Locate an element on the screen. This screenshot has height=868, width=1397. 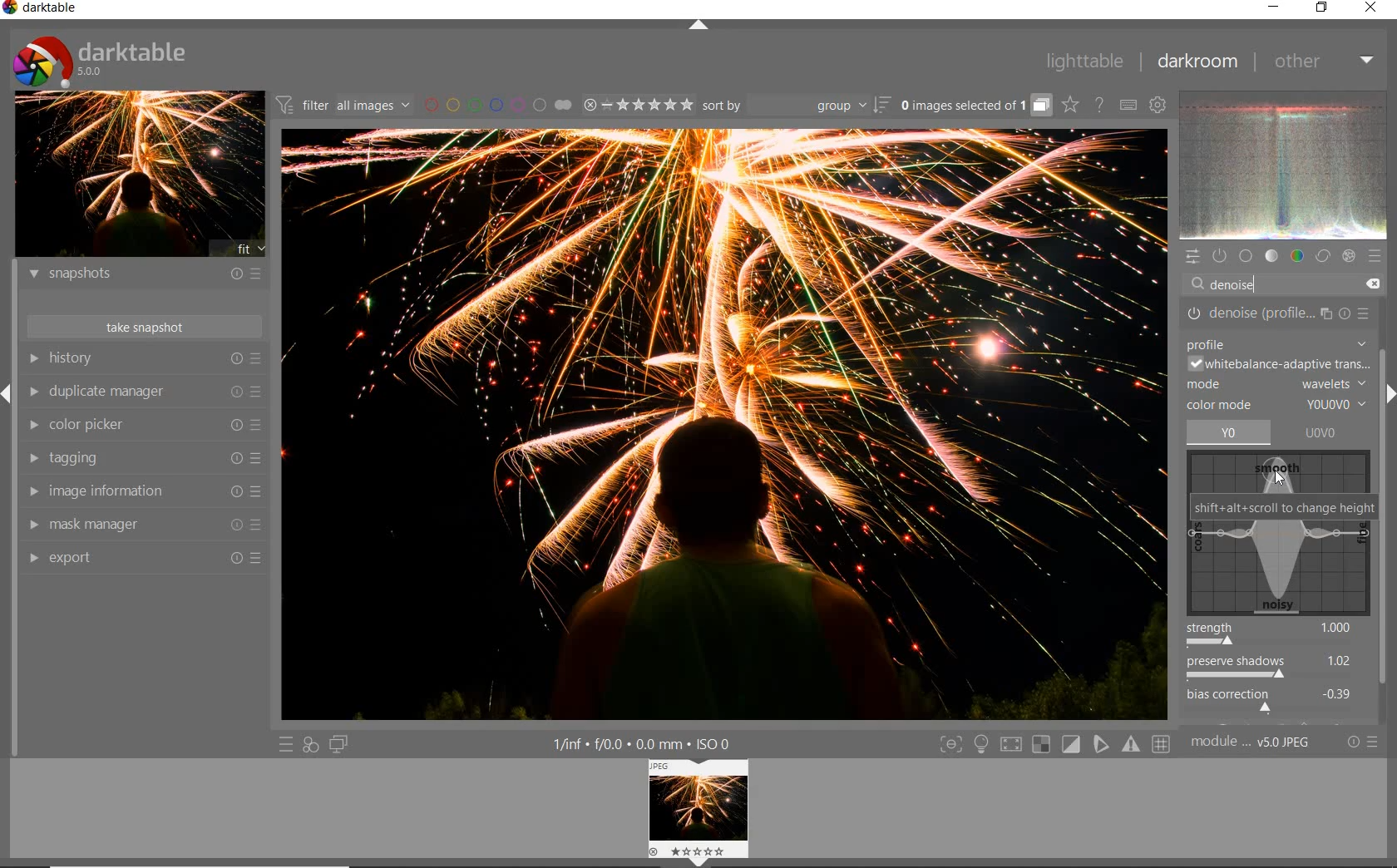
PROFILE is located at coordinates (1278, 343).